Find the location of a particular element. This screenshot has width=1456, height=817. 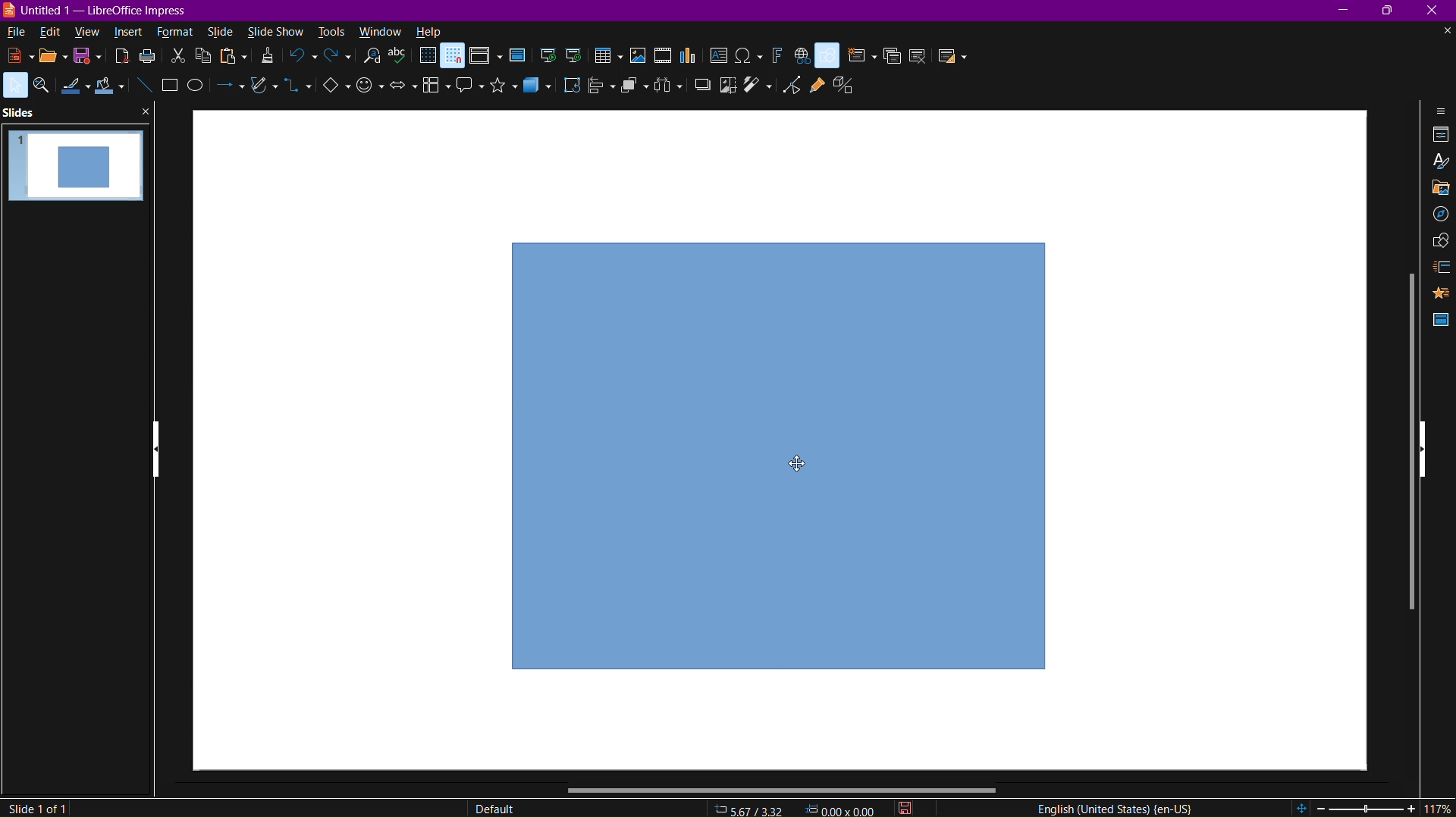

Slide 1 is located at coordinates (77, 172).